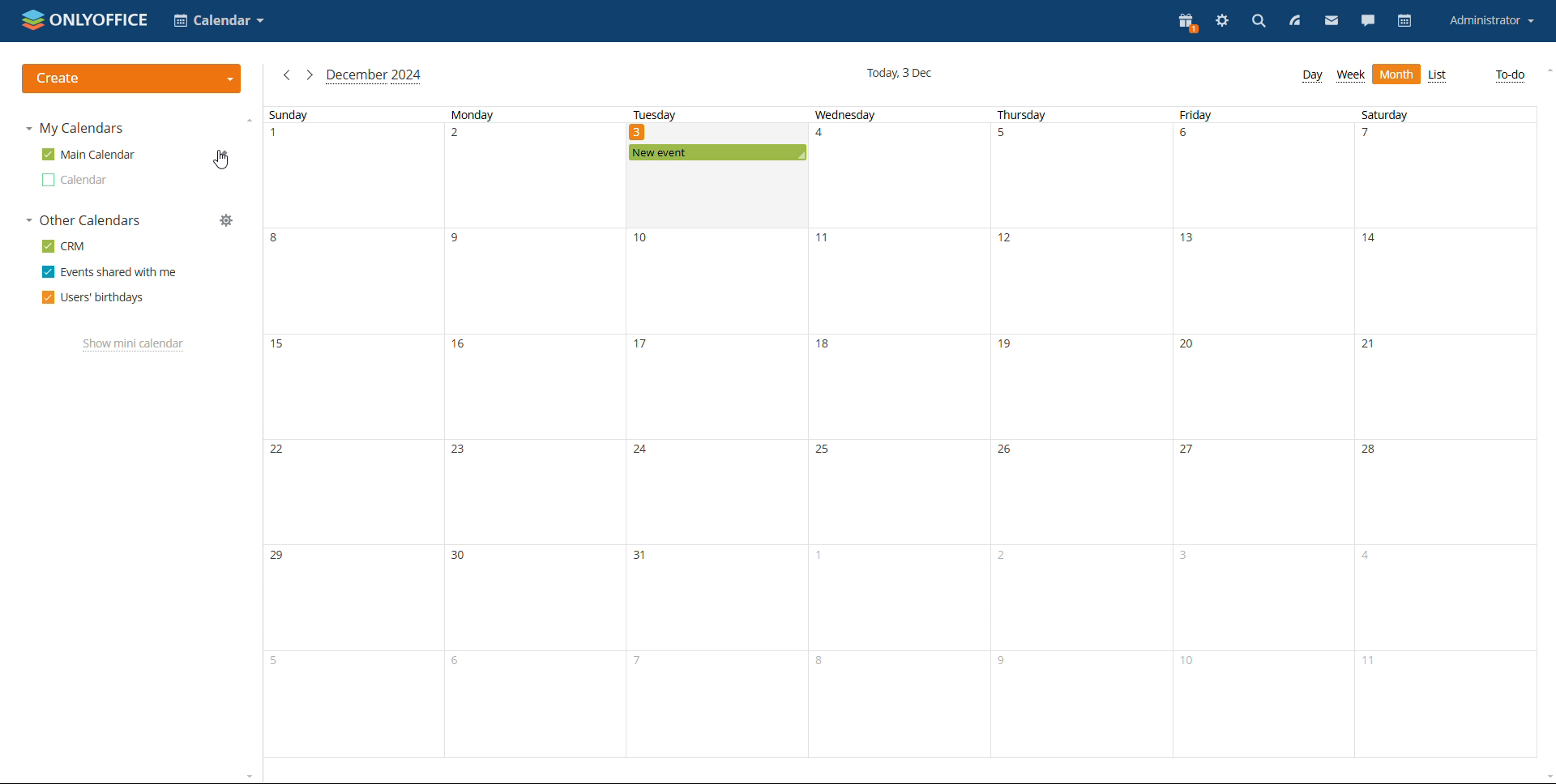  What do you see at coordinates (353, 177) in the screenshot?
I see `date` at bounding box center [353, 177].